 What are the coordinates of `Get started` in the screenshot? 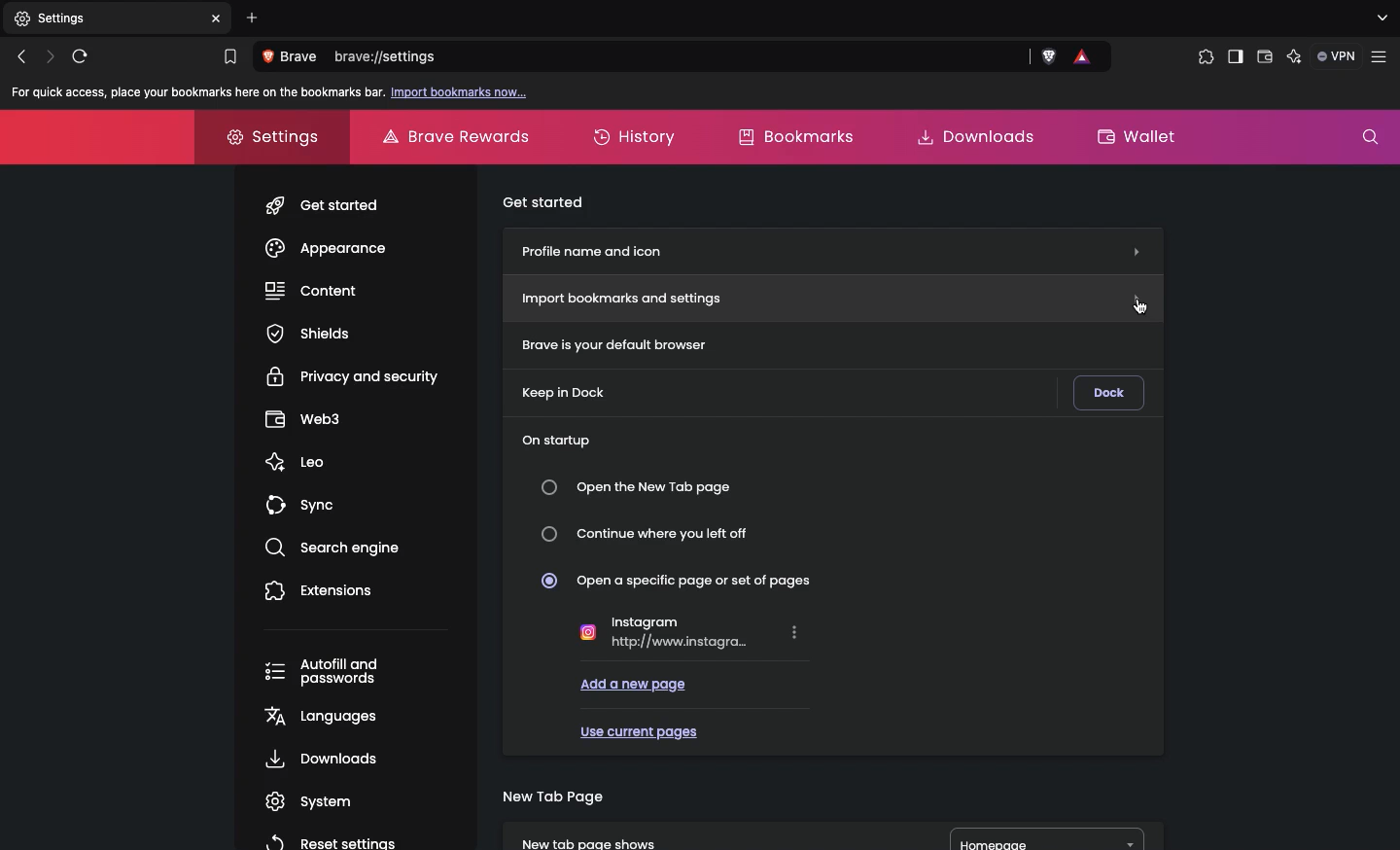 It's located at (545, 199).